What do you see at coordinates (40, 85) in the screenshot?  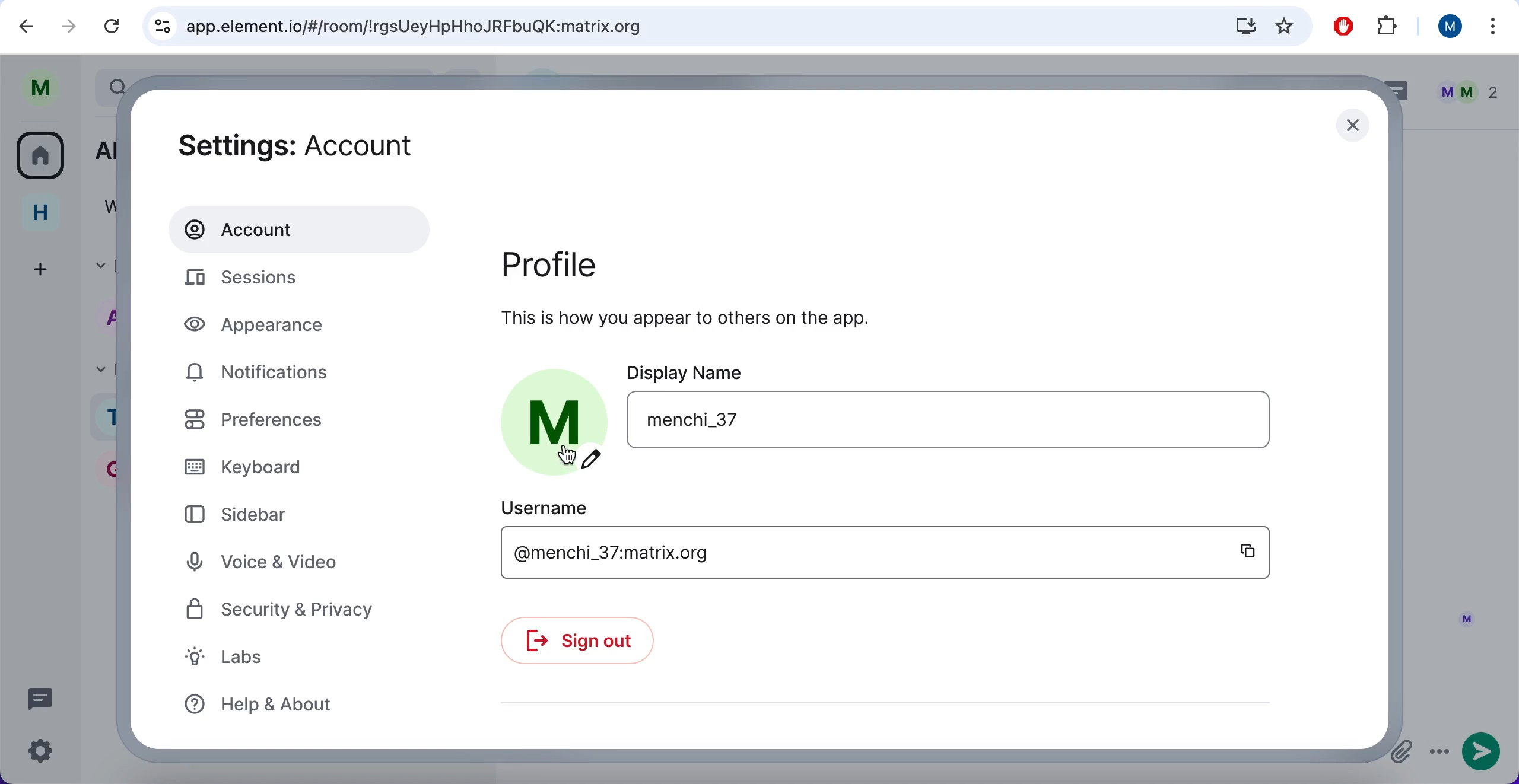 I see `user` at bounding box center [40, 85].